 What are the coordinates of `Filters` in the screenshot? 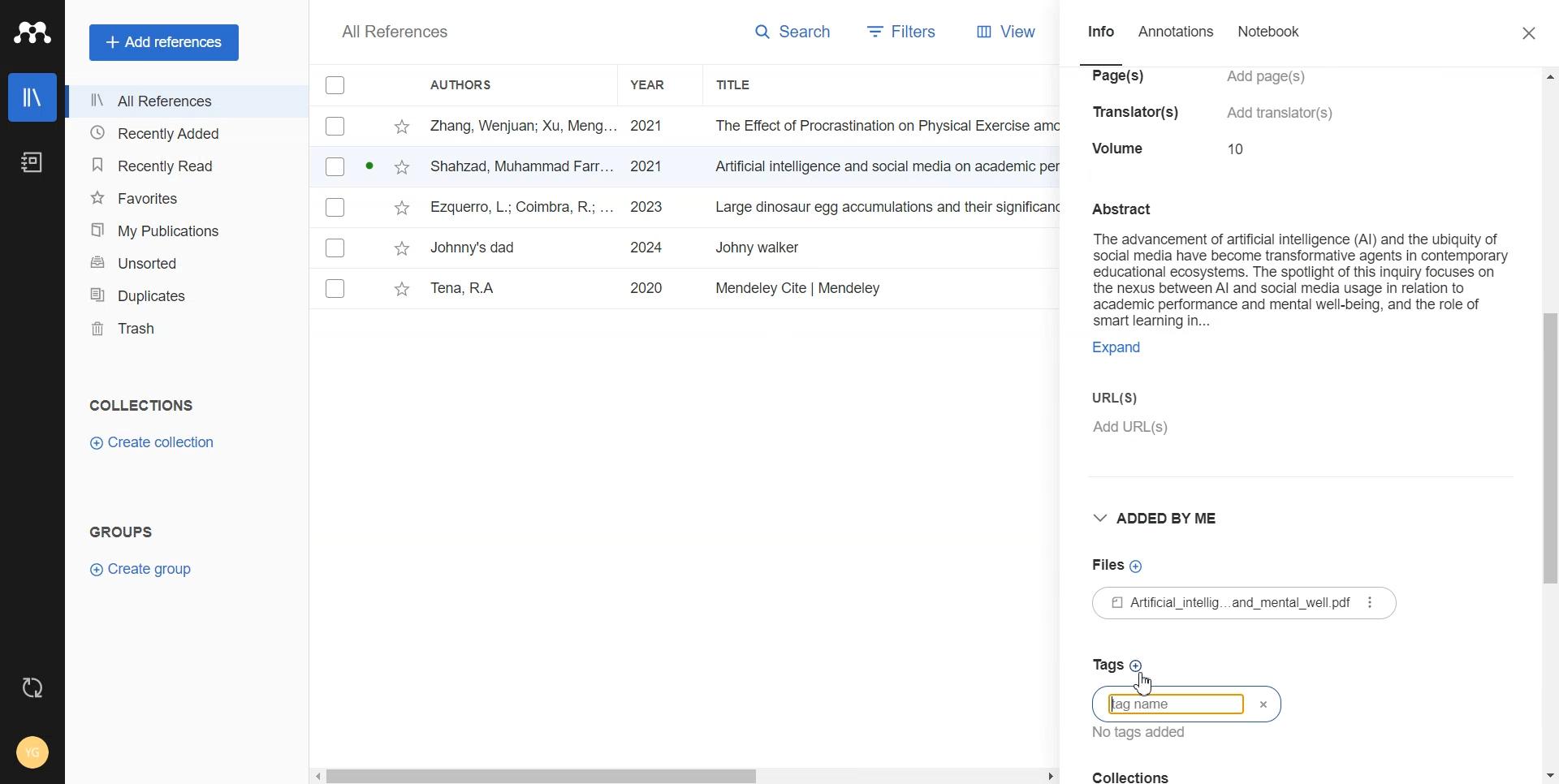 It's located at (896, 33).